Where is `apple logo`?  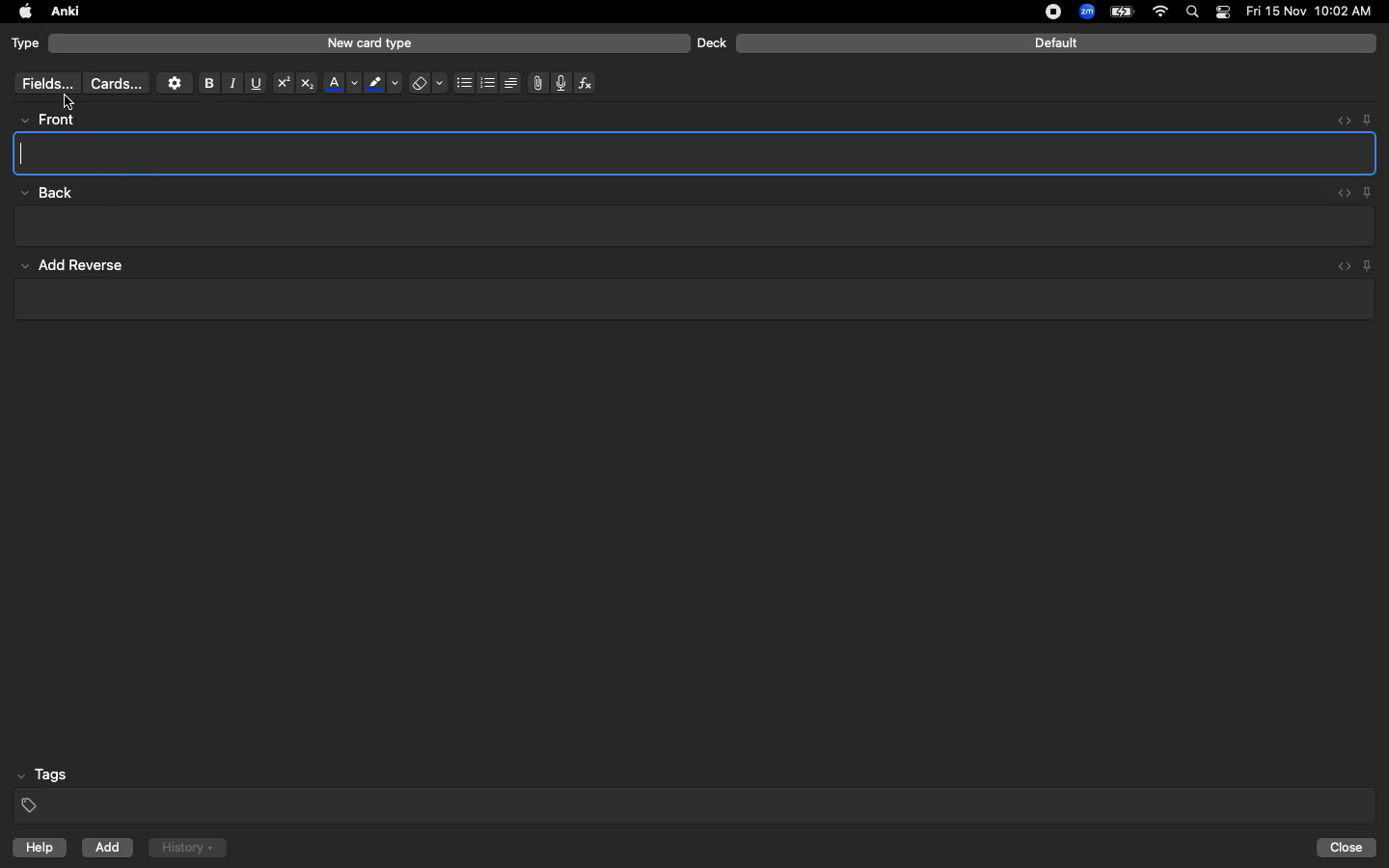
apple logo is located at coordinates (20, 12).